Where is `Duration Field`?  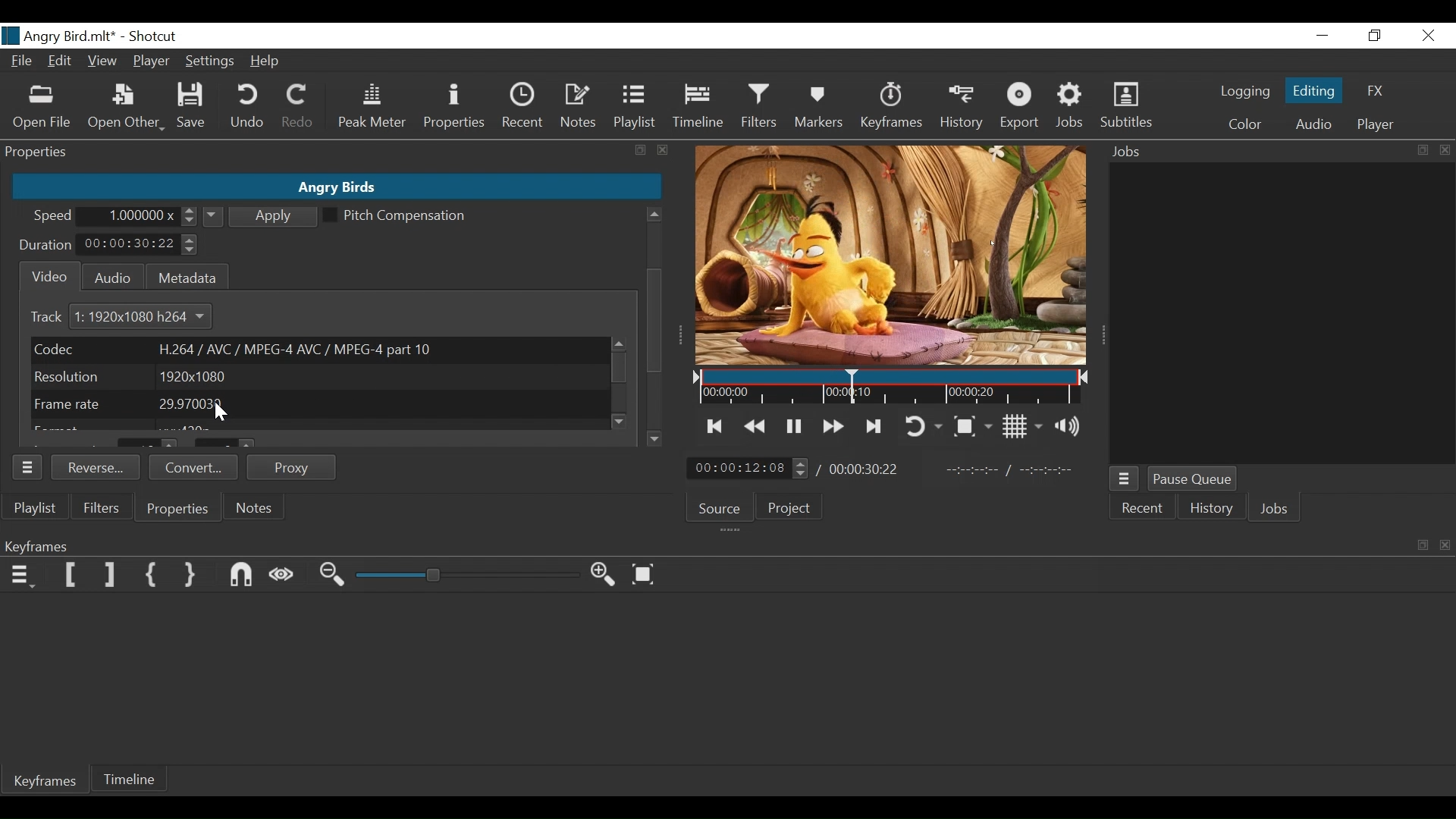 Duration Field is located at coordinates (139, 244).